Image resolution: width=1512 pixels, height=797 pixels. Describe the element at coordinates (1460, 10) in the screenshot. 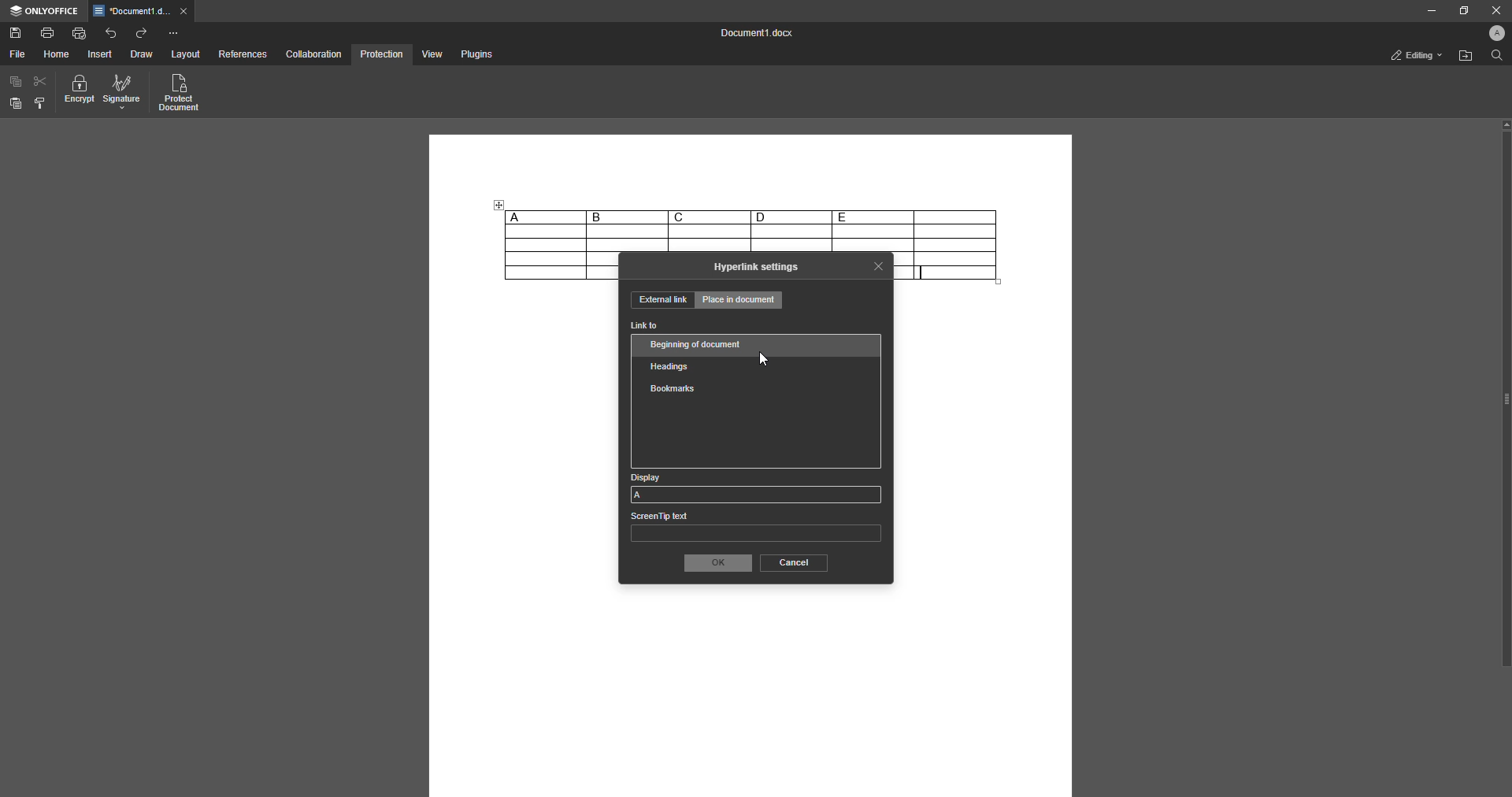

I see `Restore` at that location.